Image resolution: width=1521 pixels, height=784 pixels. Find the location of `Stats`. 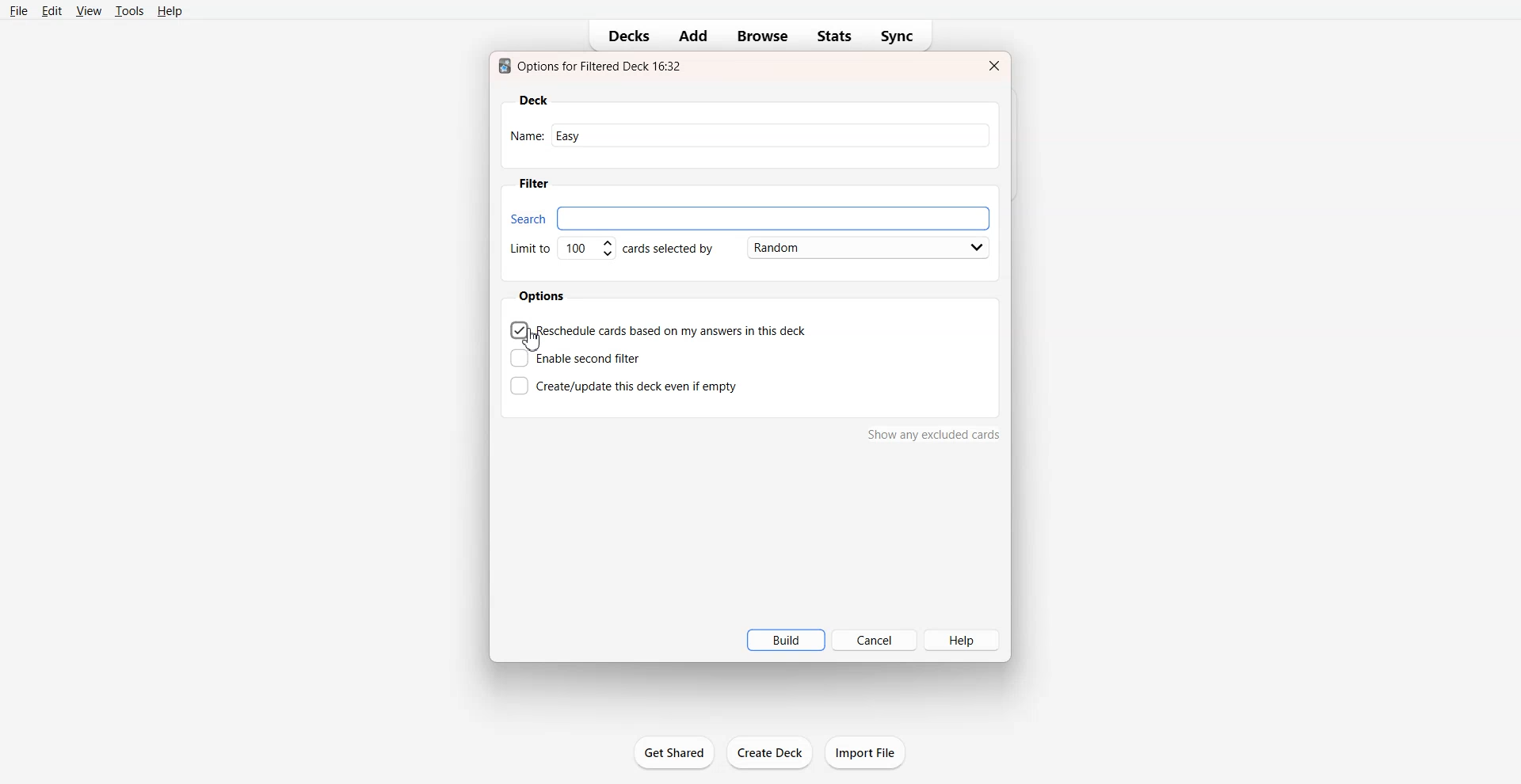

Stats is located at coordinates (834, 36).